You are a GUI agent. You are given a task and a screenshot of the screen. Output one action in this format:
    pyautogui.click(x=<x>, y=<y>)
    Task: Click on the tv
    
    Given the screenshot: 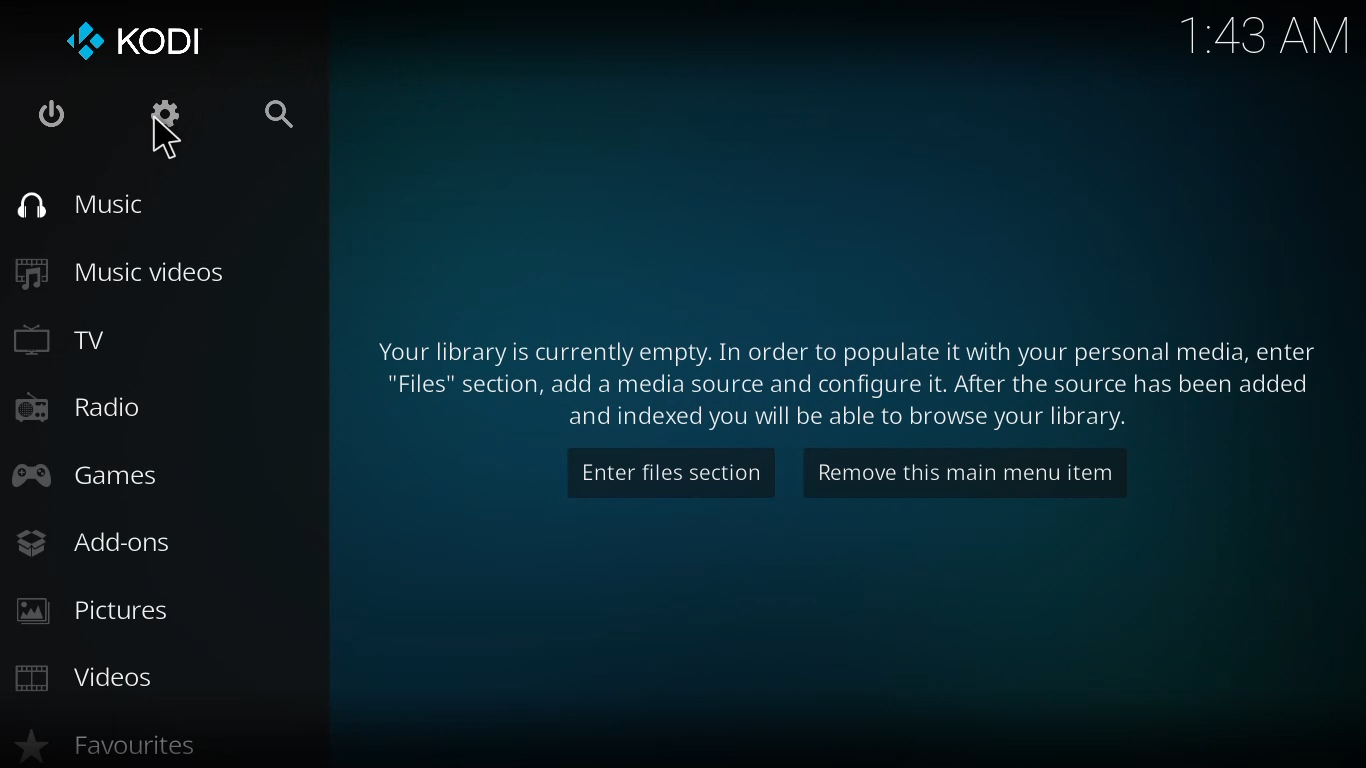 What is the action you would take?
    pyautogui.click(x=61, y=338)
    